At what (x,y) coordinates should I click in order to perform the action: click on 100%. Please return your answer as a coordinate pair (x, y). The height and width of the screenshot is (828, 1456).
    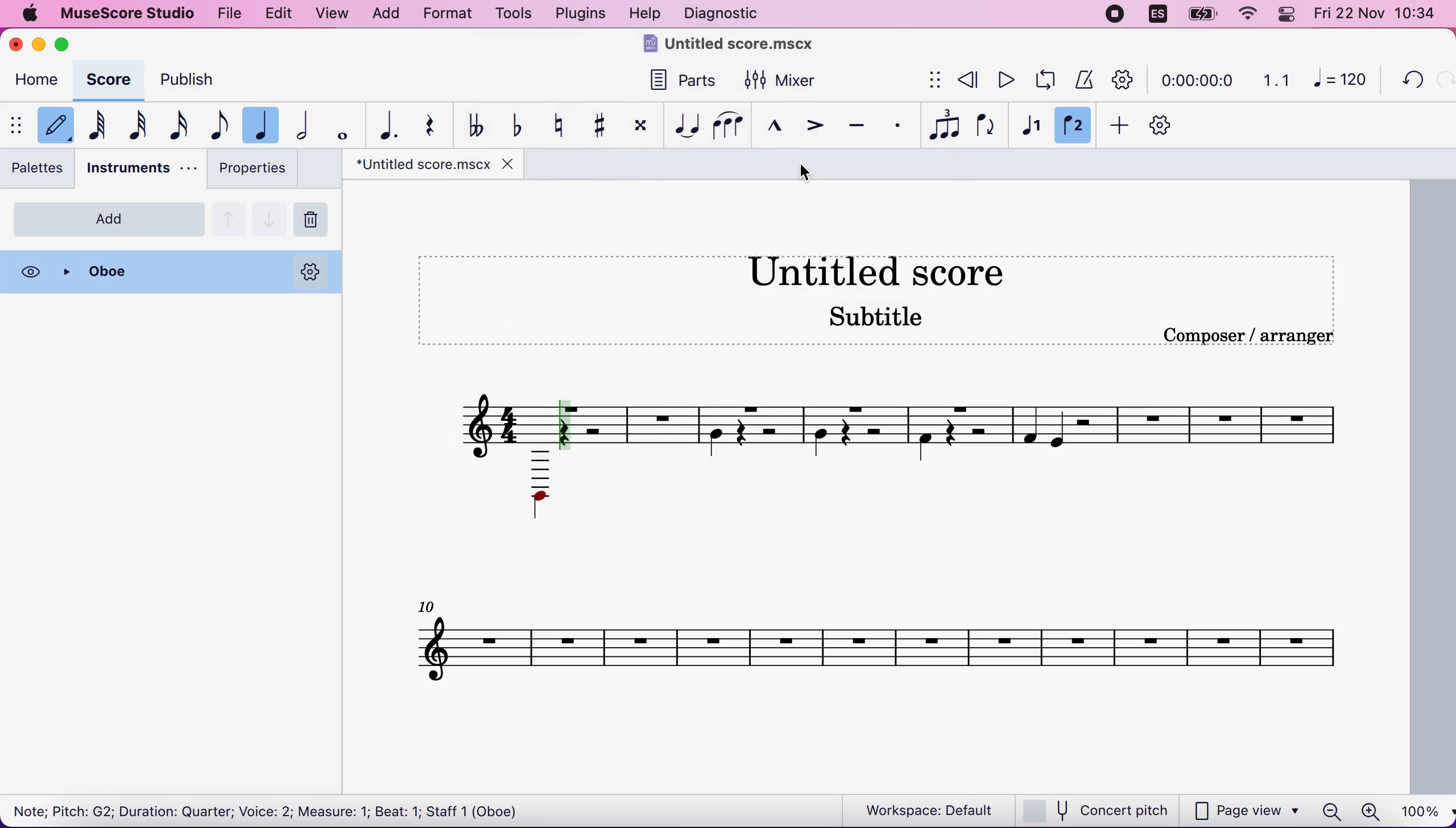
    Looking at the image, I should click on (1421, 810).